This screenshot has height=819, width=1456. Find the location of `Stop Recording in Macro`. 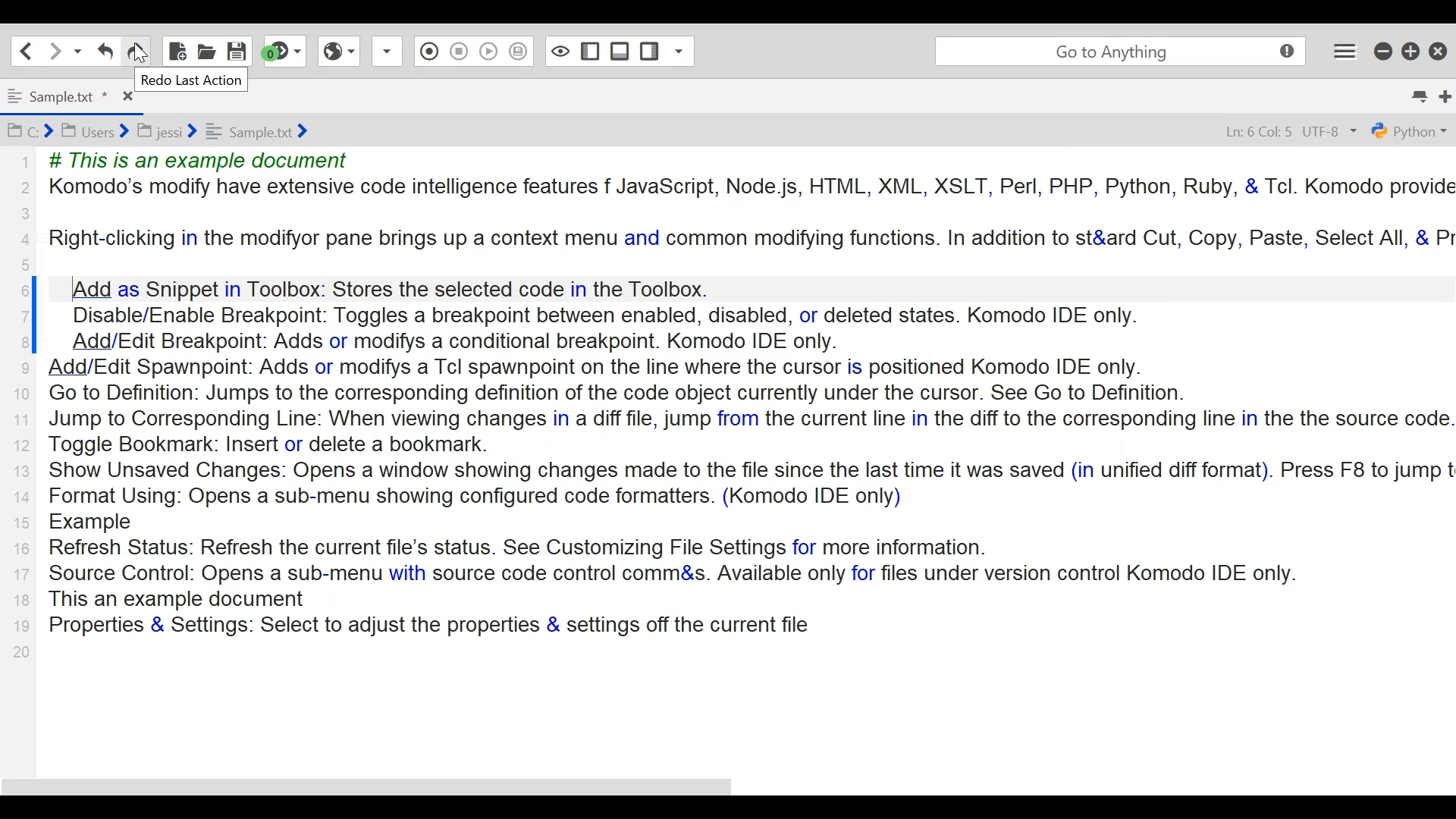

Stop Recording in Macro is located at coordinates (458, 51).